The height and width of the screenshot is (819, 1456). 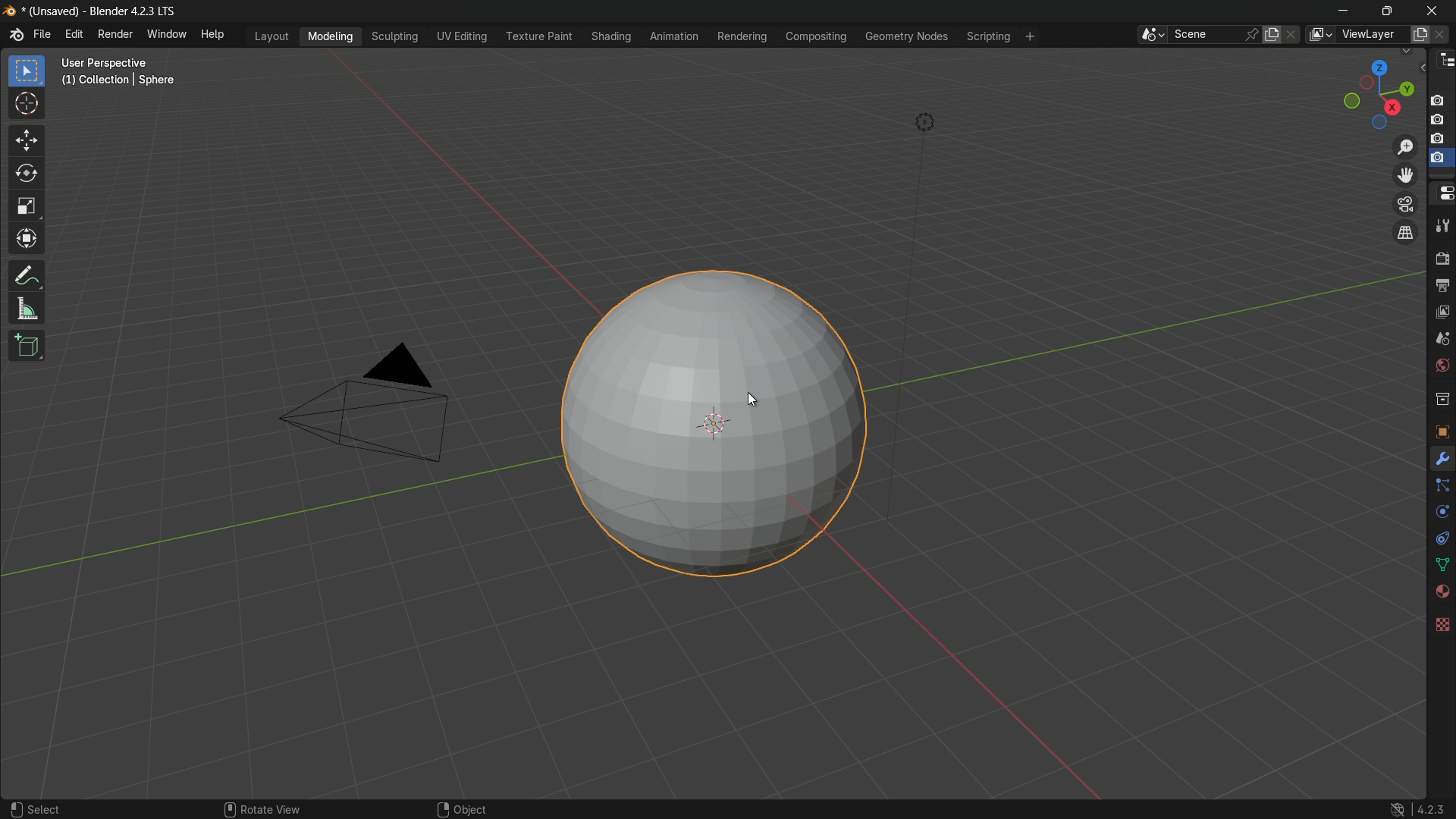 I want to click on camera, so click(x=366, y=406).